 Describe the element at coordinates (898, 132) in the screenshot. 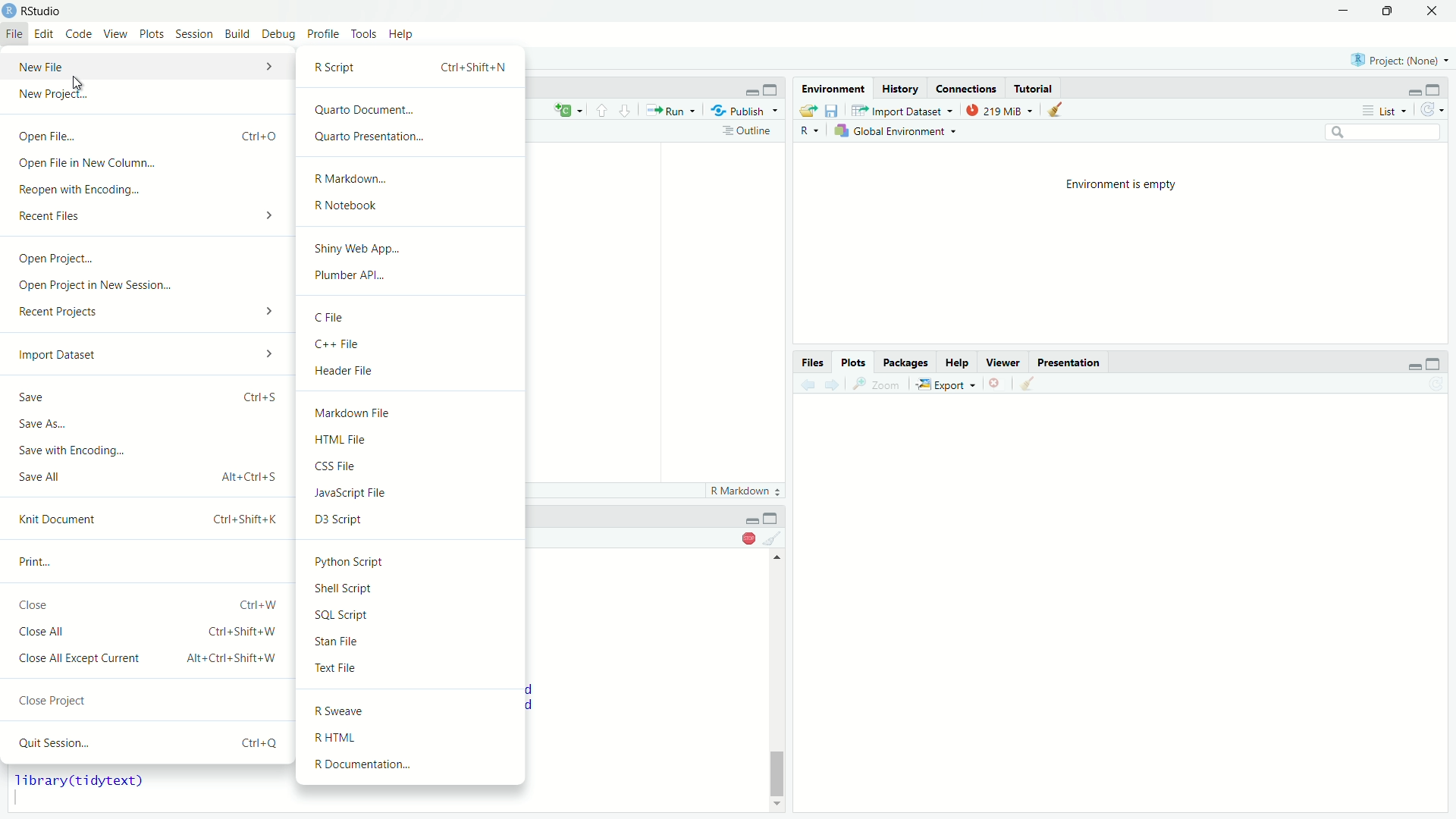

I see `global environment` at that location.